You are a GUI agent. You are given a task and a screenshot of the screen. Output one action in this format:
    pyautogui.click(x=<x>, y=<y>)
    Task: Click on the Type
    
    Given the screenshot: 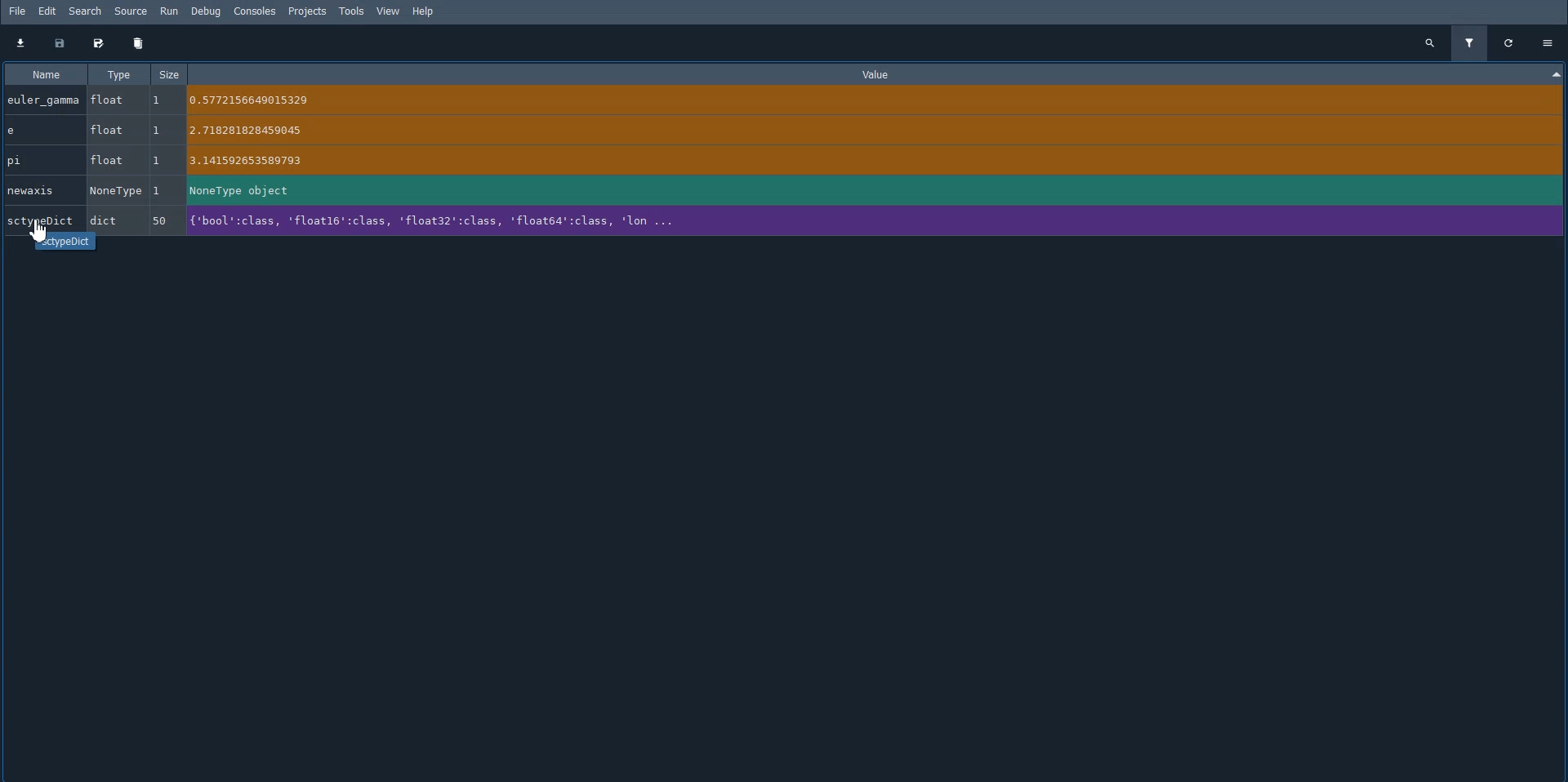 What is the action you would take?
    pyautogui.click(x=119, y=74)
    